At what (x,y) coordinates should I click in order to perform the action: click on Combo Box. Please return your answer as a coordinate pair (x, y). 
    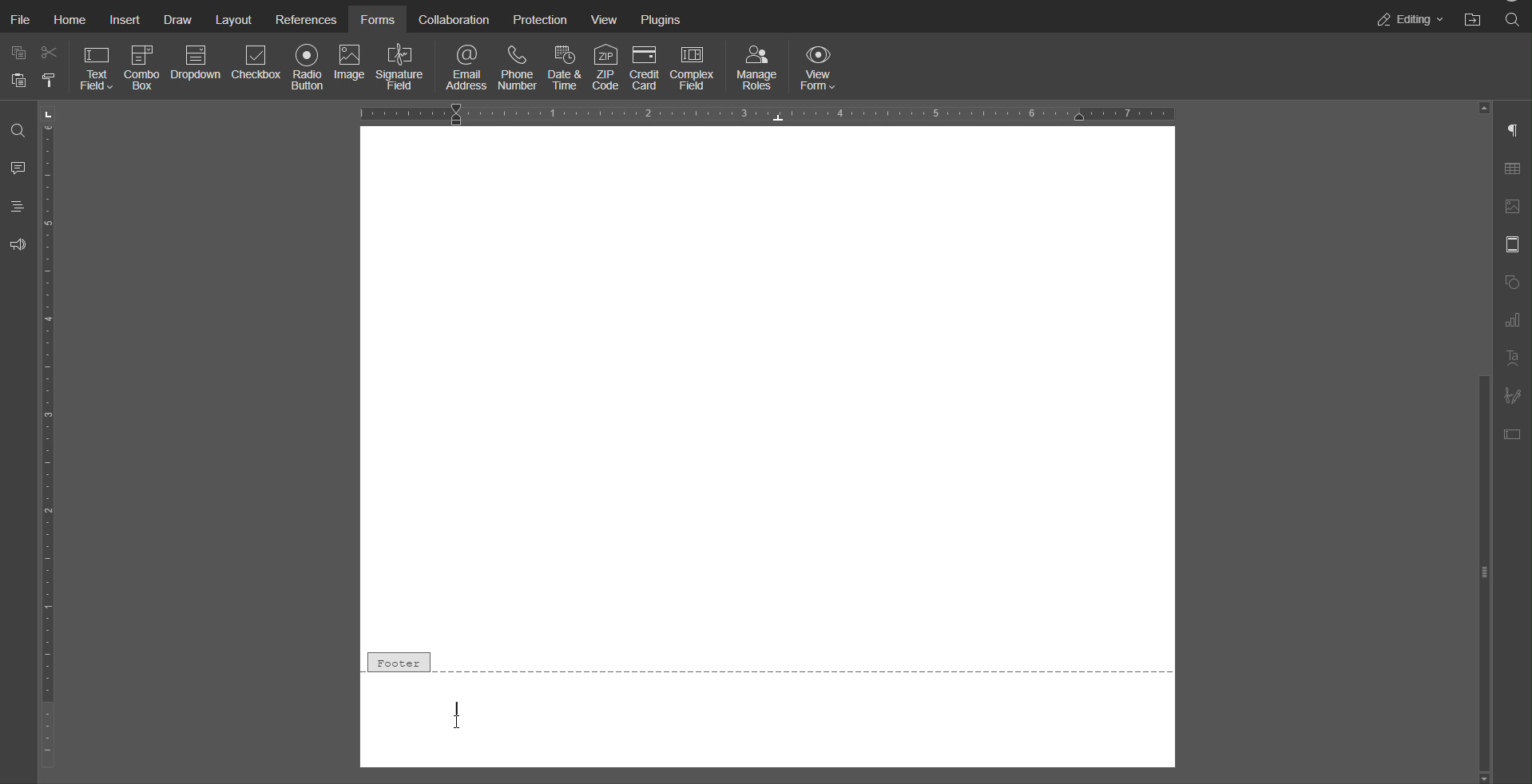
    Looking at the image, I should click on (146, 70).